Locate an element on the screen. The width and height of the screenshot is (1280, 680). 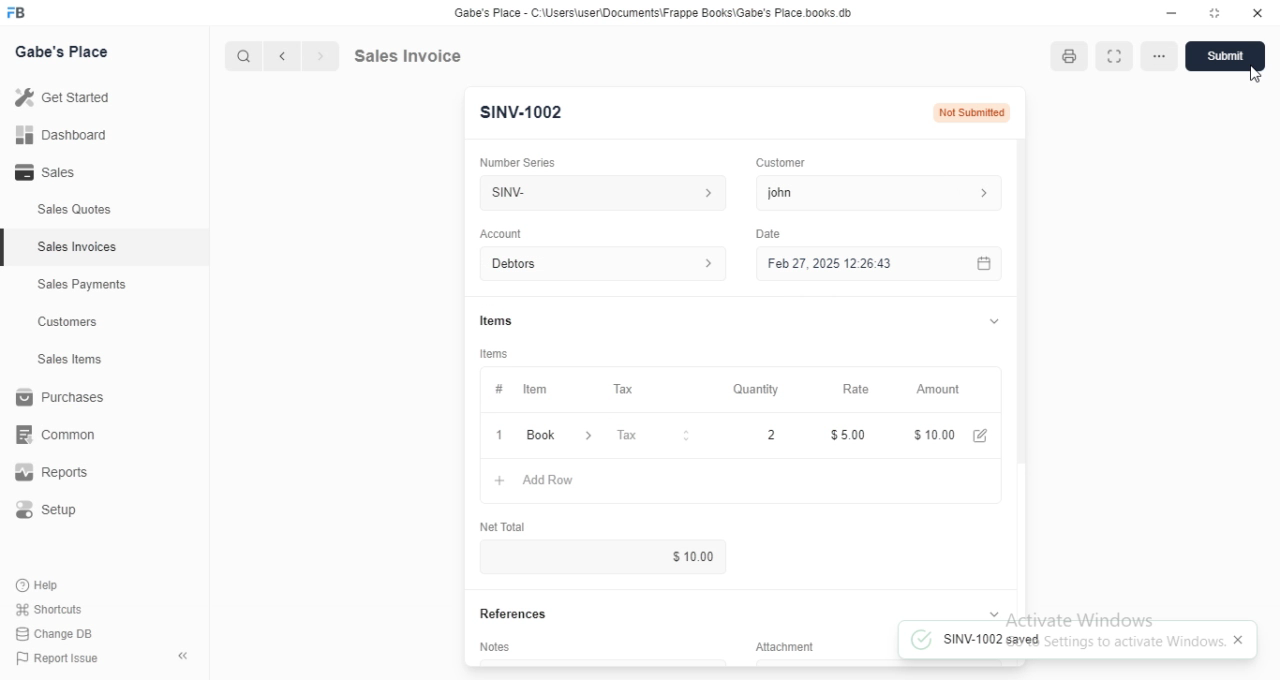
$10.00 is located at coordinates (957, 433).